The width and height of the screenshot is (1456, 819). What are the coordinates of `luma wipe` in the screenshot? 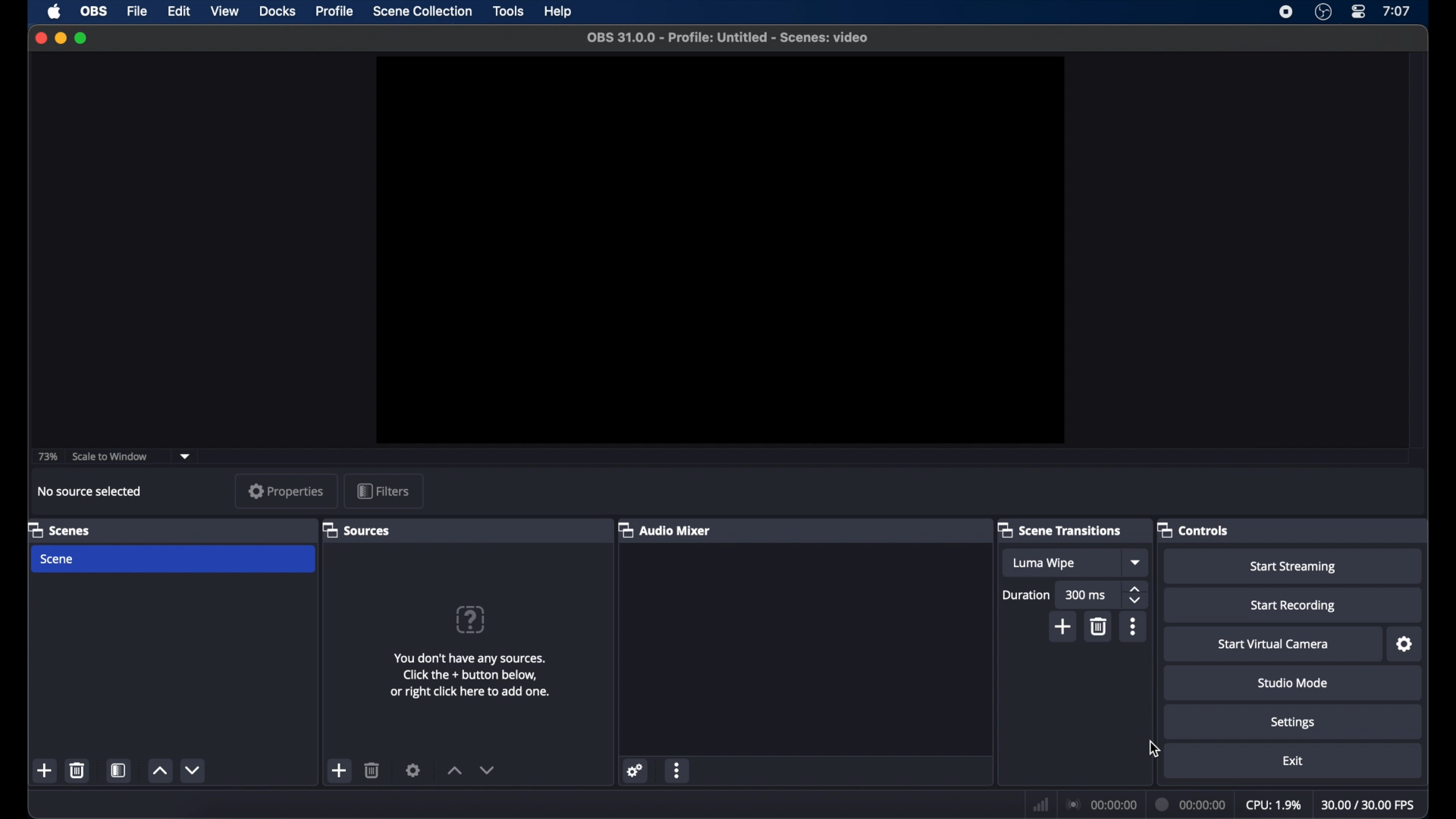 It's located at (1043, 563).